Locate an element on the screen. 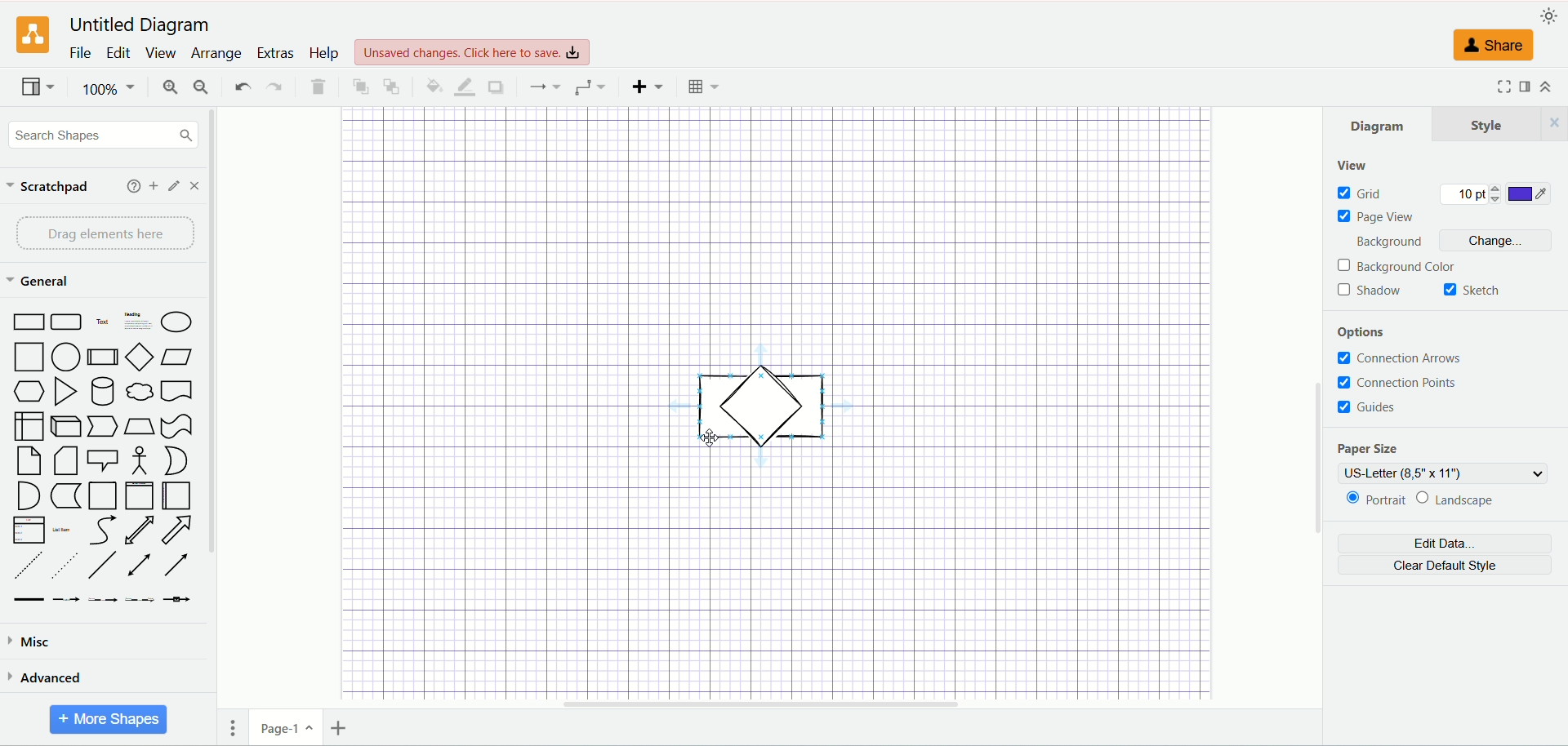 Image resolution: width=1568 pixels, height=746 pixels. line color is located at coordinates (465, 87).